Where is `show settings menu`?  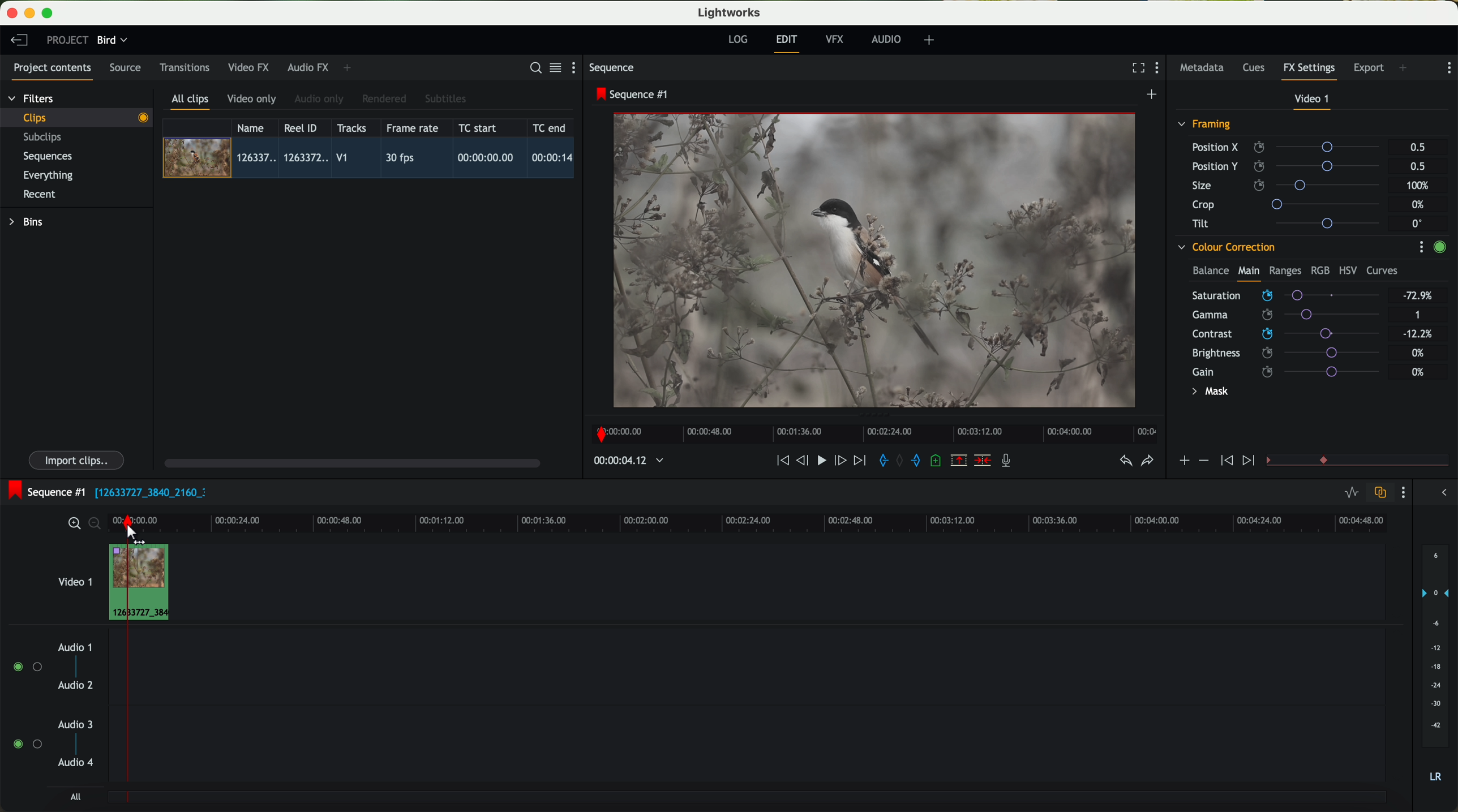 show settings menu is located at coordinates (1421, 247).